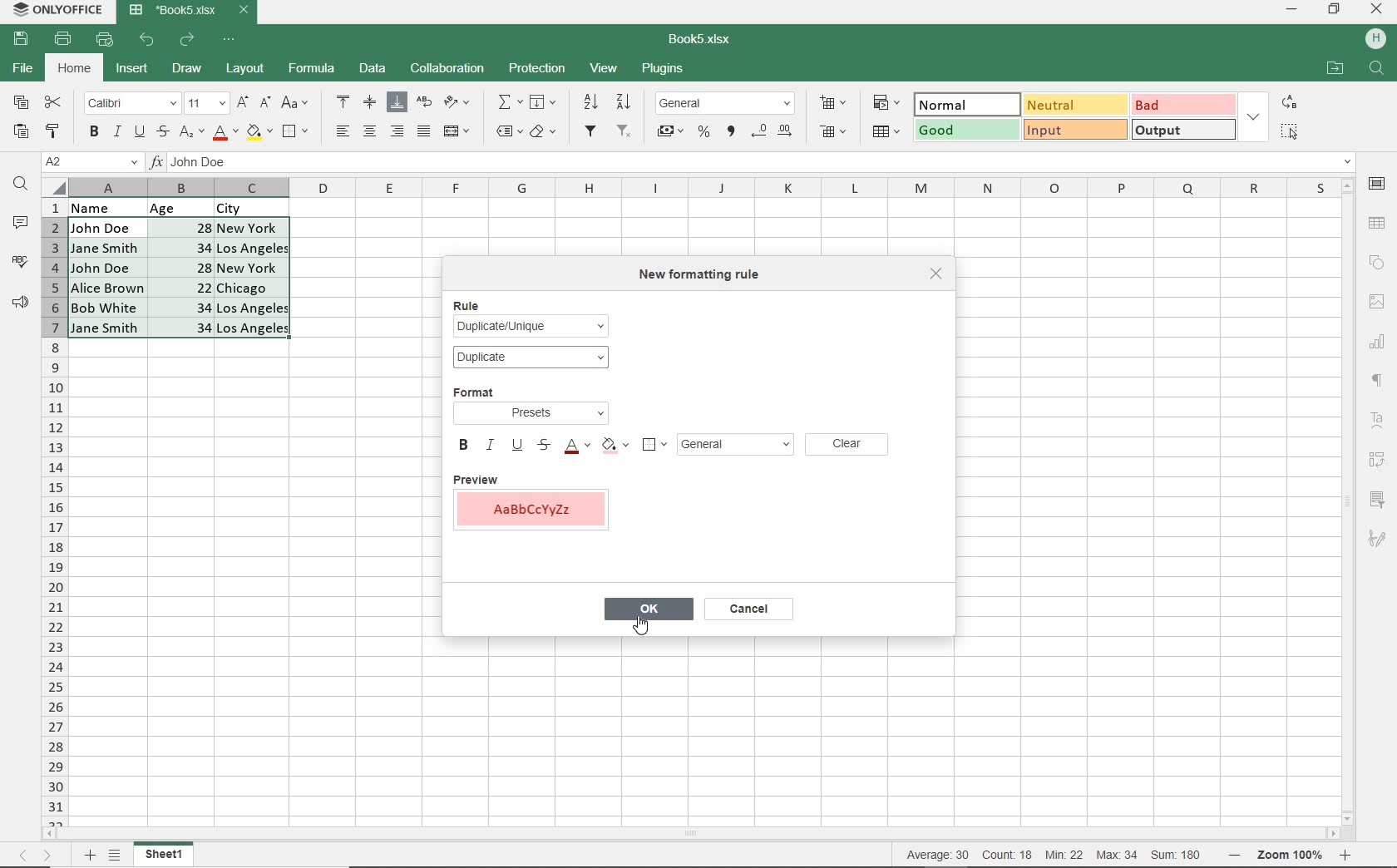  Describe the element at coordinates (940, 855) in the screenshot. I see `average` at that location.